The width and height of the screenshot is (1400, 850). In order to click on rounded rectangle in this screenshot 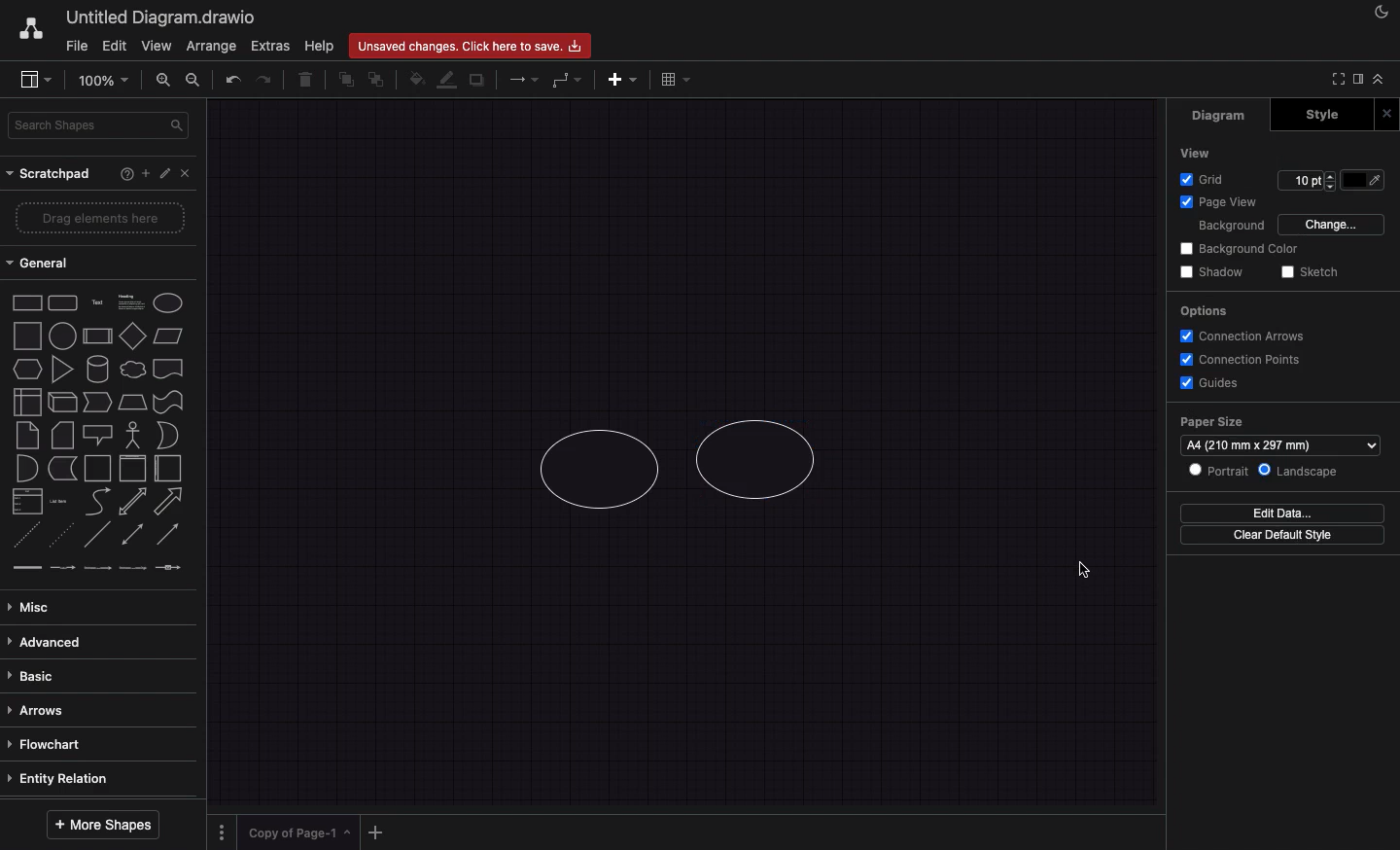, I will do `click(62, 303)`.